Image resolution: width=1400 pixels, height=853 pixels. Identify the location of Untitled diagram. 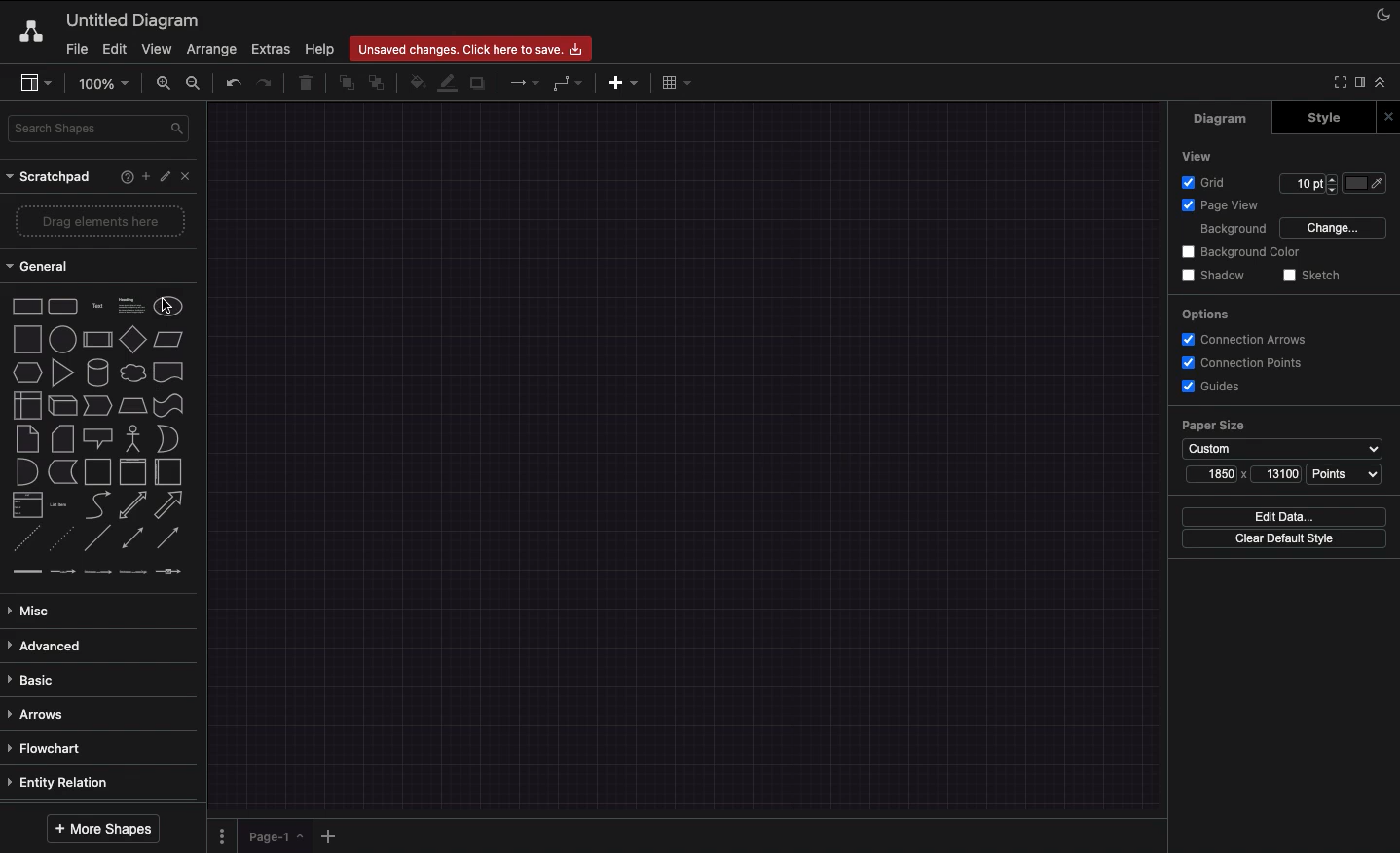
(133, 19).